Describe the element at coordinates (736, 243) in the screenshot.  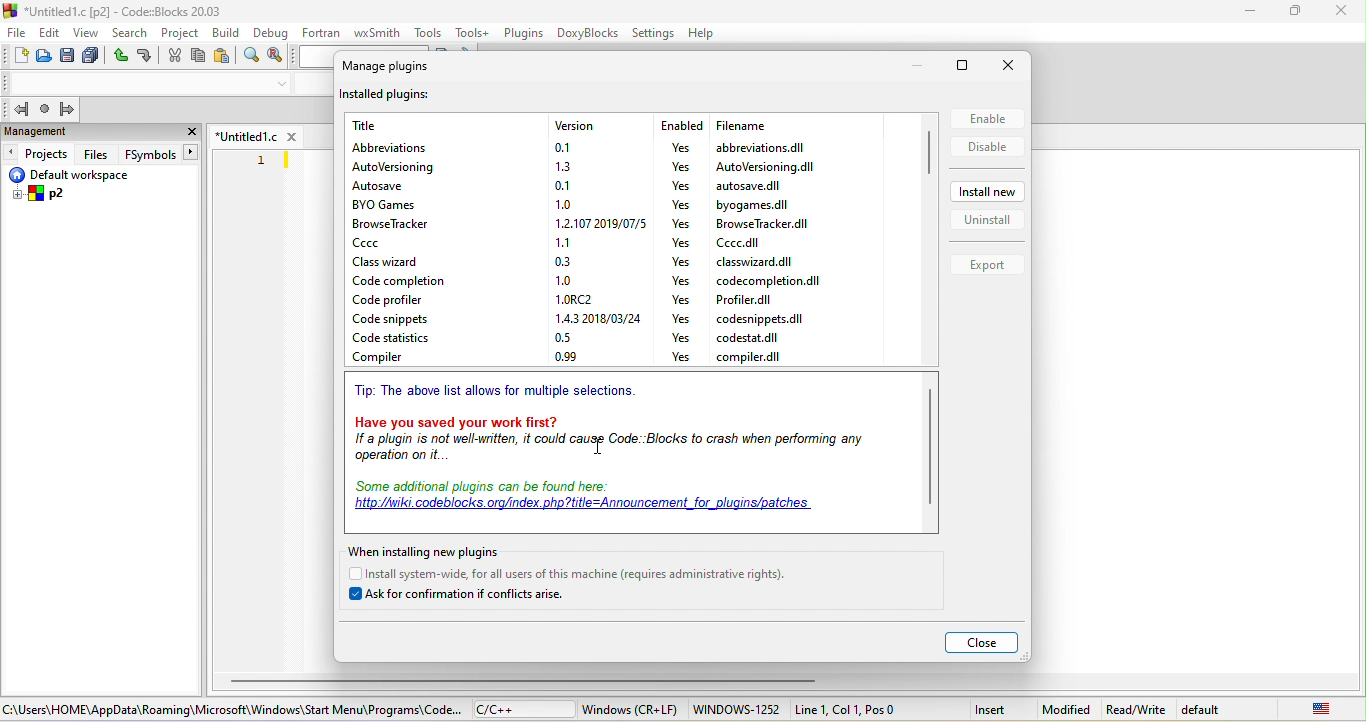
I see `cccc` at that location.